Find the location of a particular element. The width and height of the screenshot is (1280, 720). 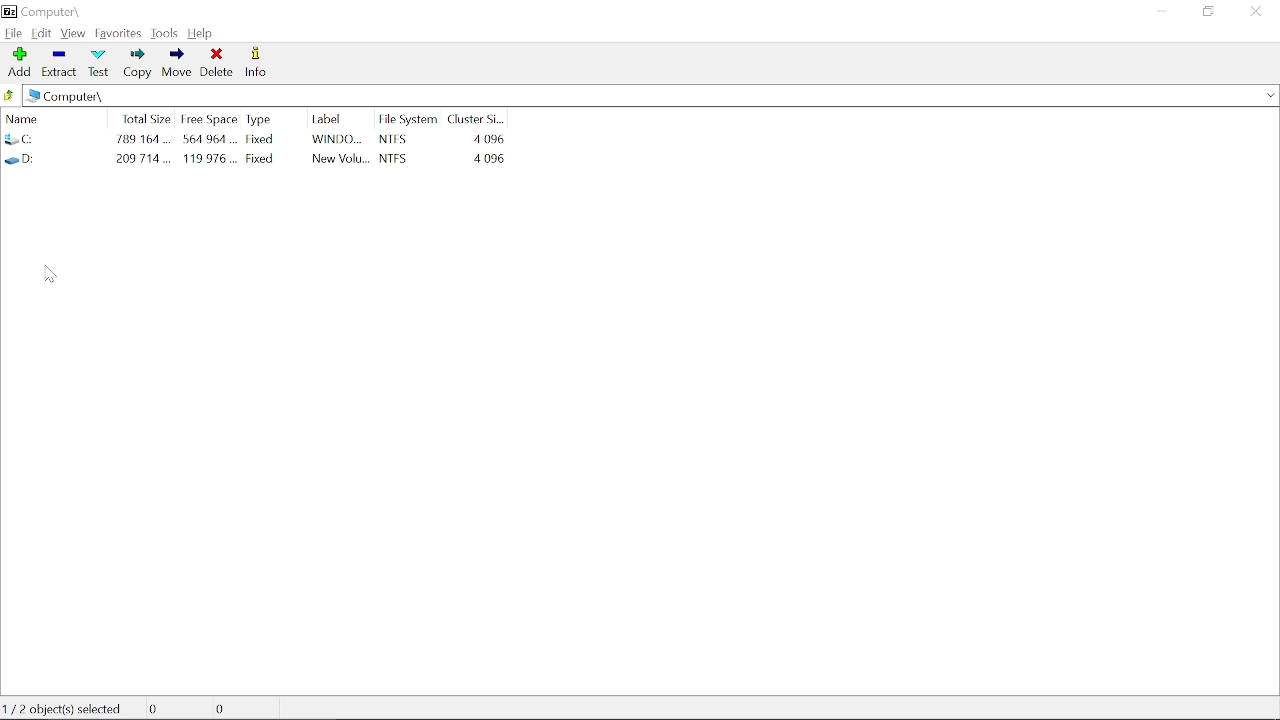

label is located at coordinates (330, 118).